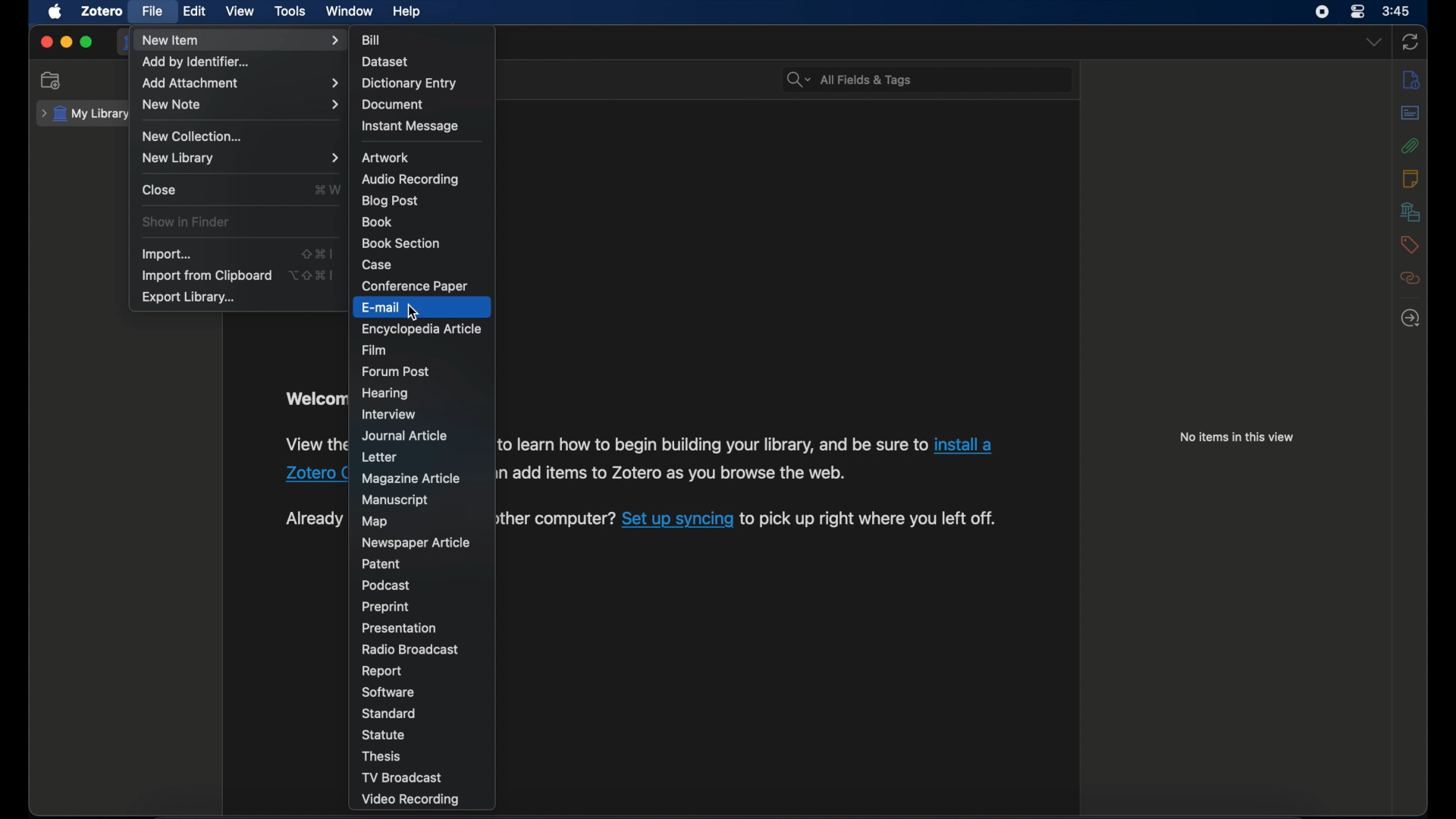 The image size is (1456, 819). What do you see at coordinates (401, 777) in the screenshot?
I see `tv broadcast` at bounding box center [401, 777].